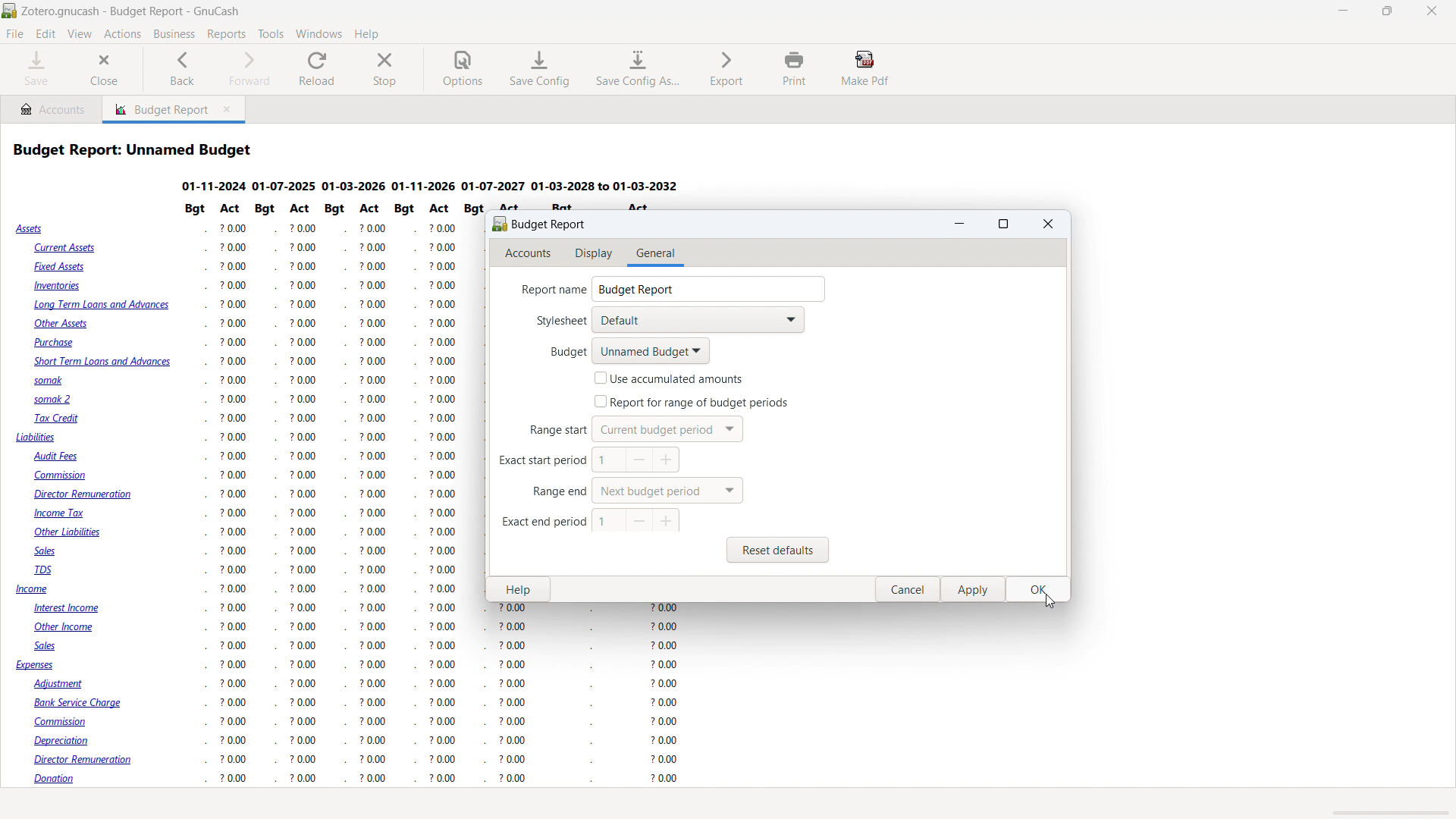  I want to click on Inventories, so click(61, 287).